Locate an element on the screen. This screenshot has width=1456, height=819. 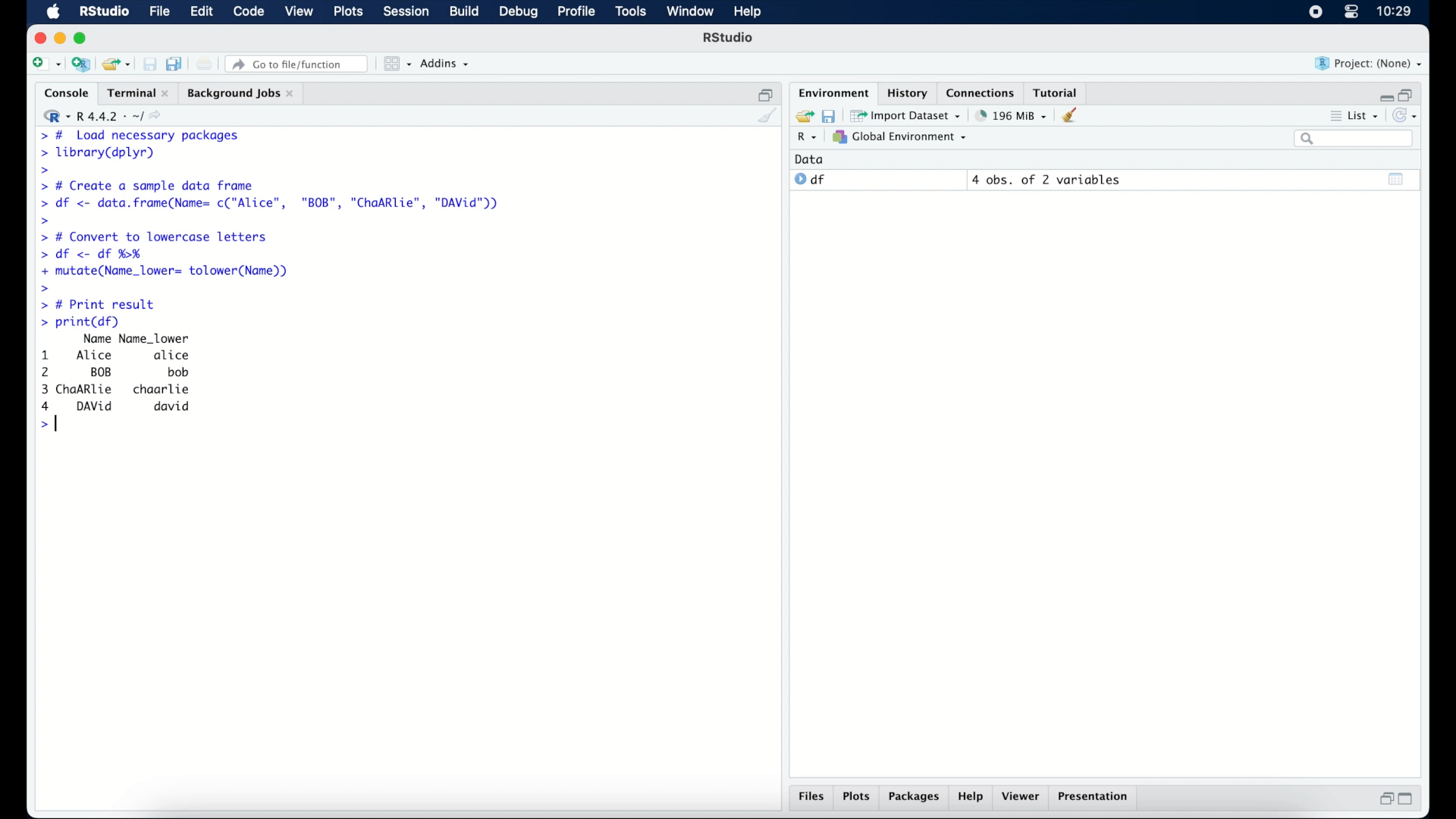
+ mutate(Name_lower= tolower(Name))| is located at coordinates (168, 271).